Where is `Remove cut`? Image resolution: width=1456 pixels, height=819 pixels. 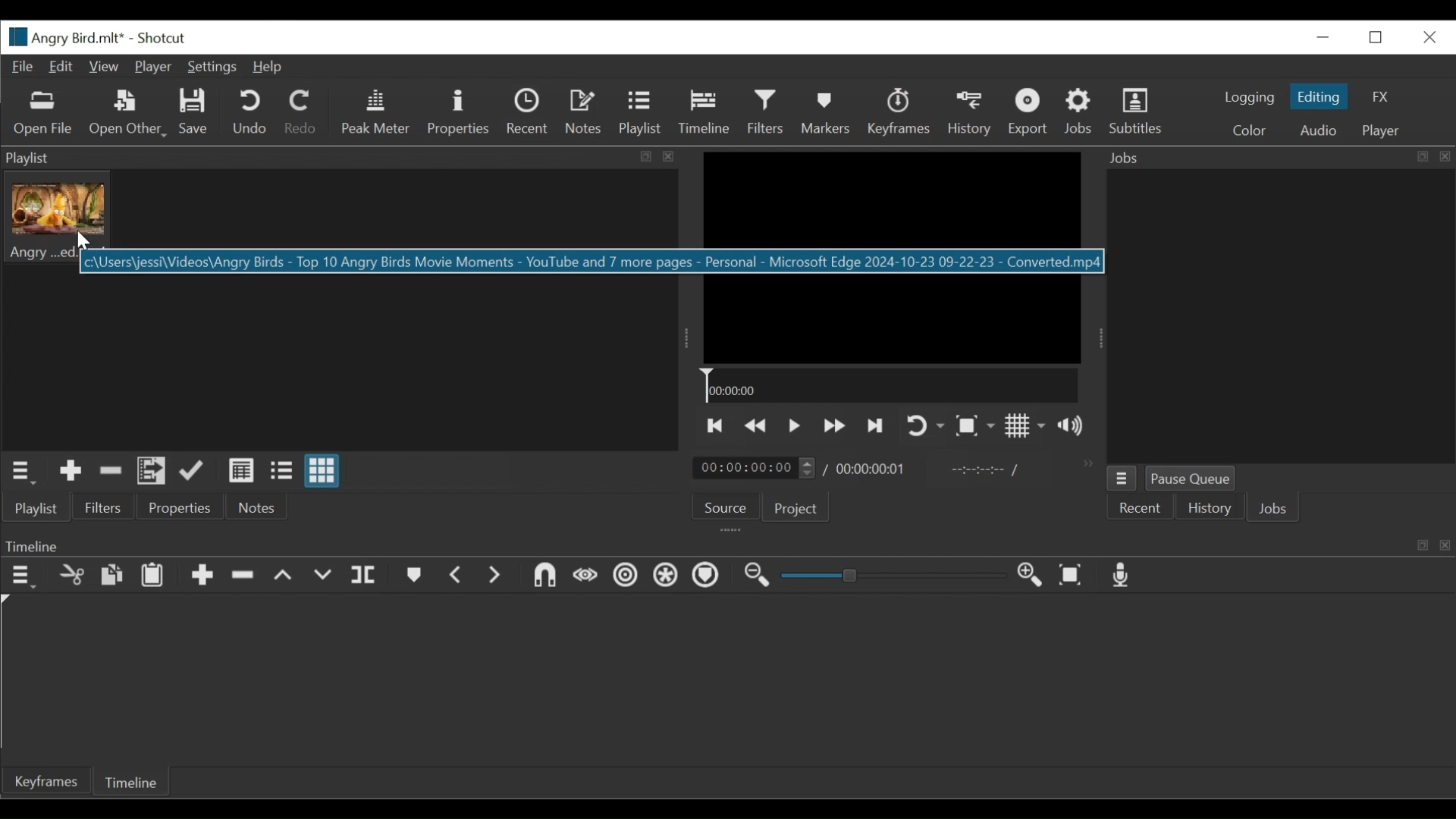
Remove cut is located at coordinates (111, 472).